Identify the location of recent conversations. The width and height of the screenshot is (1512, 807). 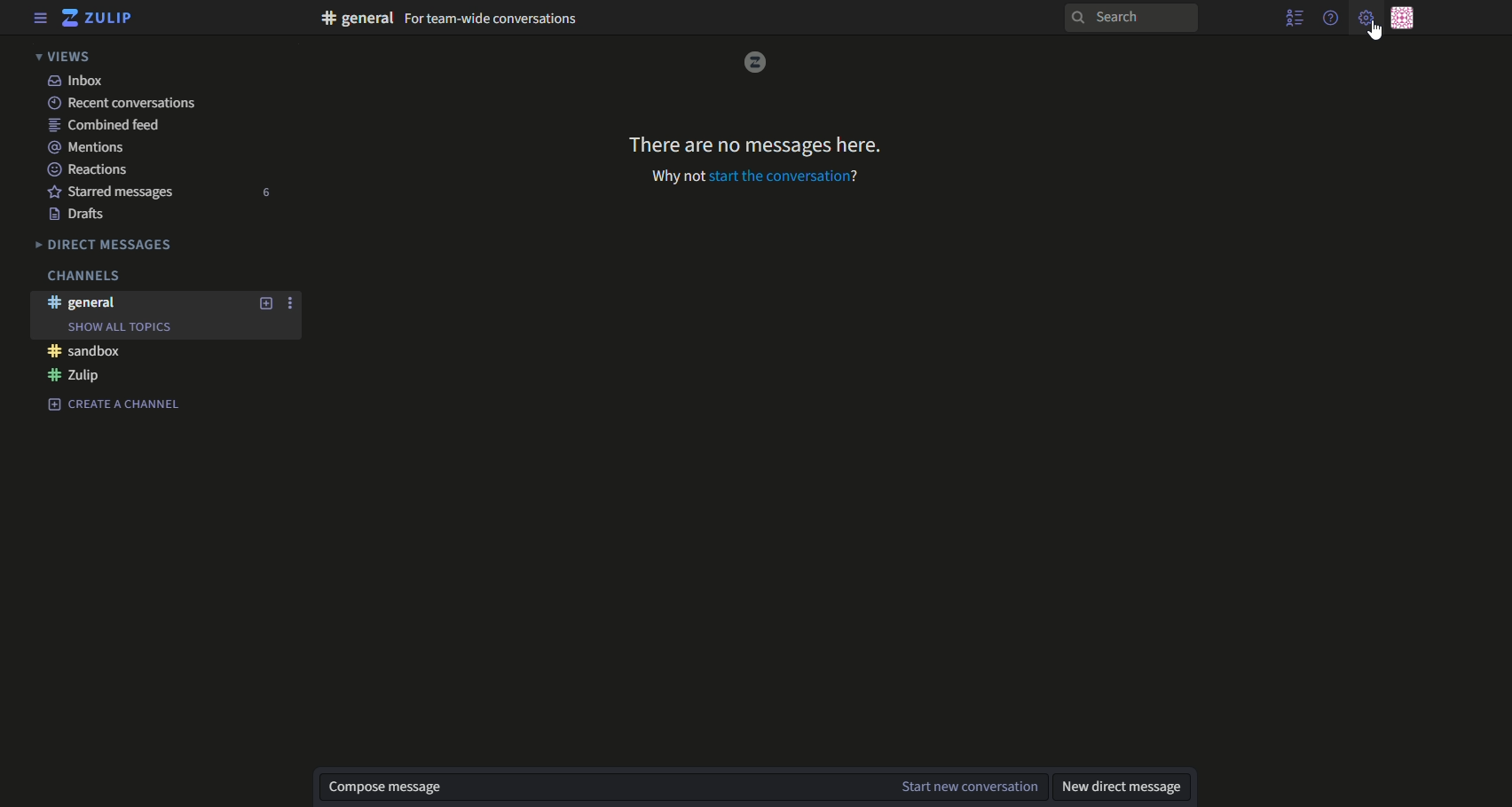
(124, 103).